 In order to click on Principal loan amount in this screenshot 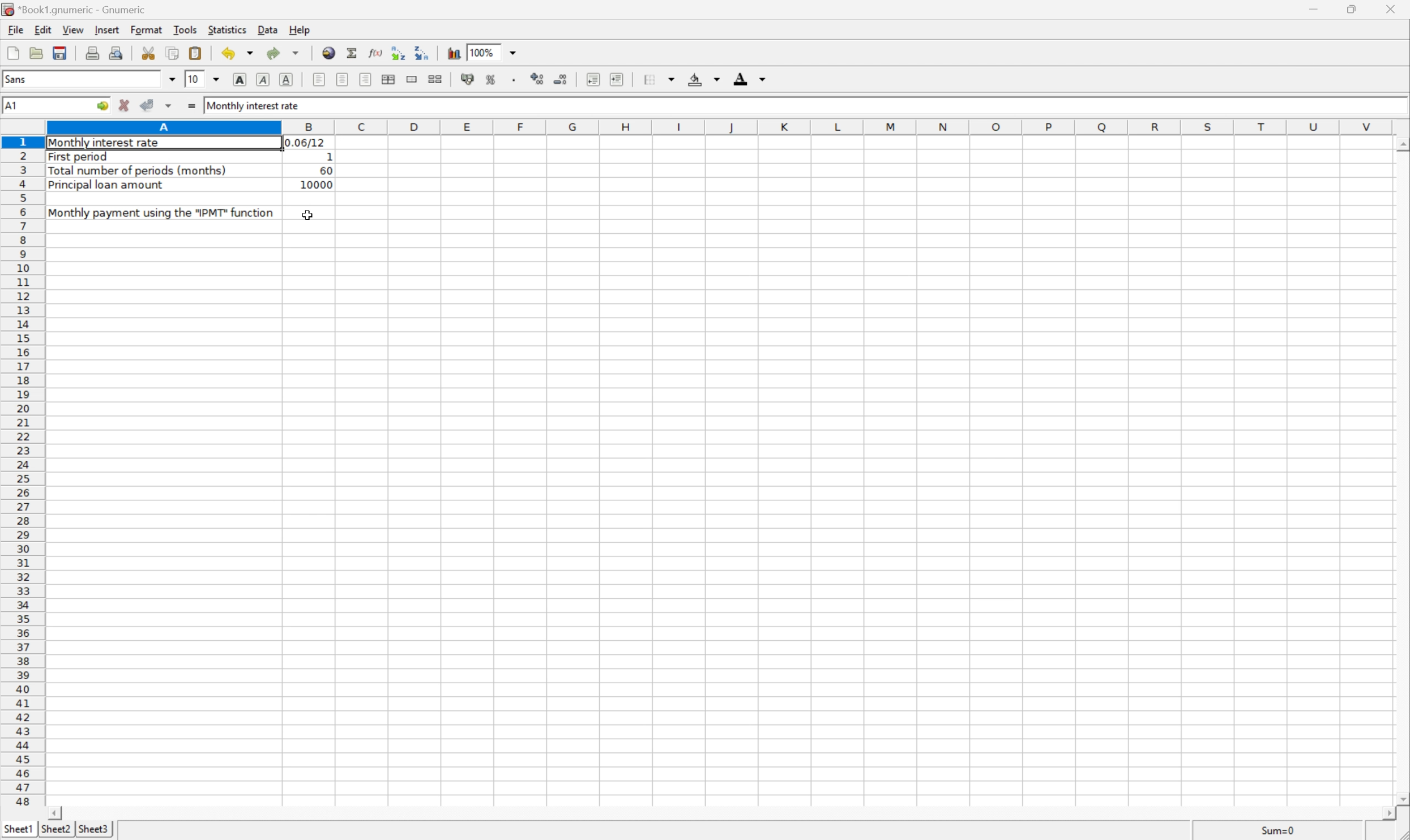, I will do `click(107, 186)`.